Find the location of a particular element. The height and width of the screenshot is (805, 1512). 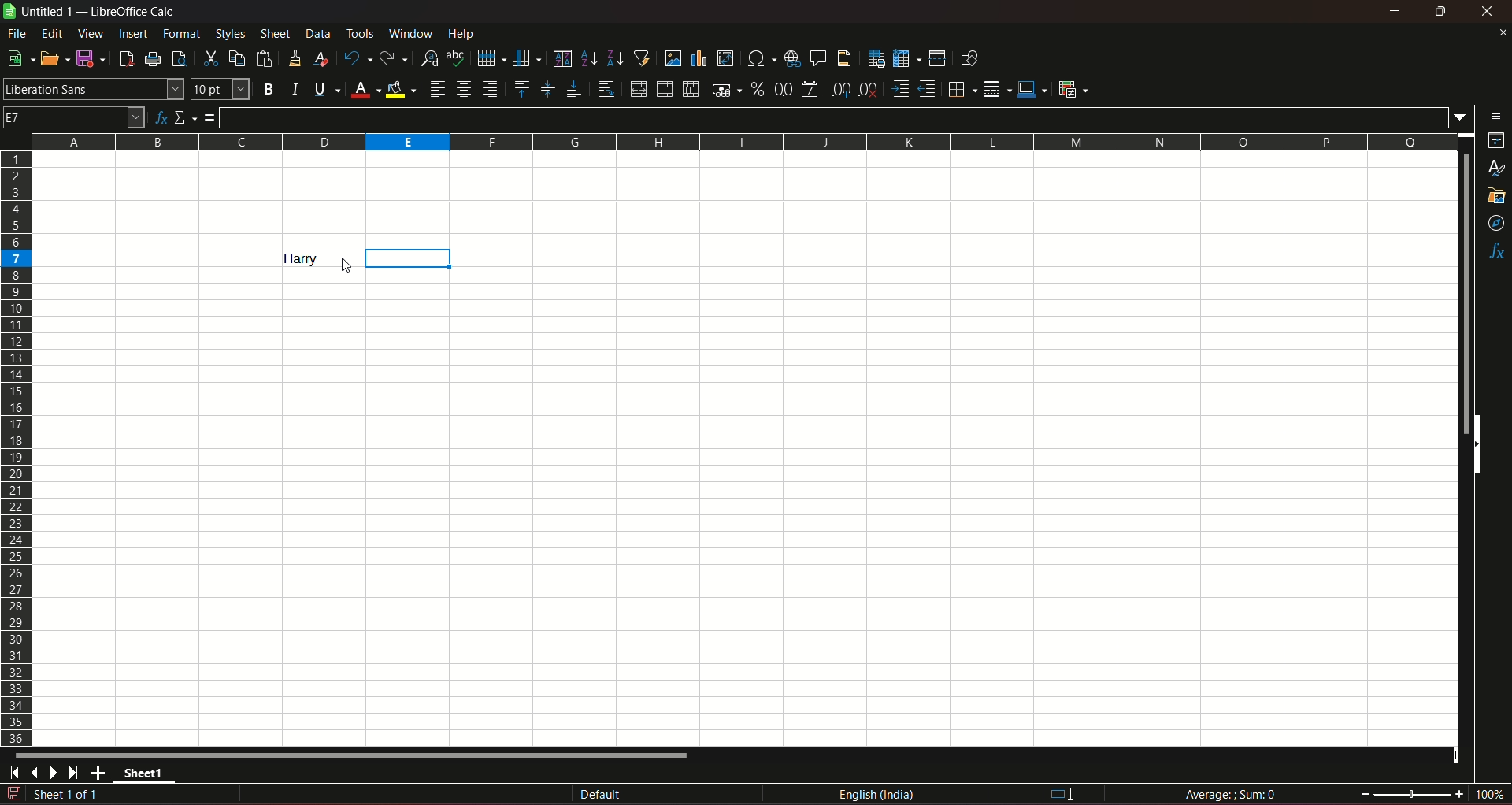

format as date is located at coordinates (810, 91).